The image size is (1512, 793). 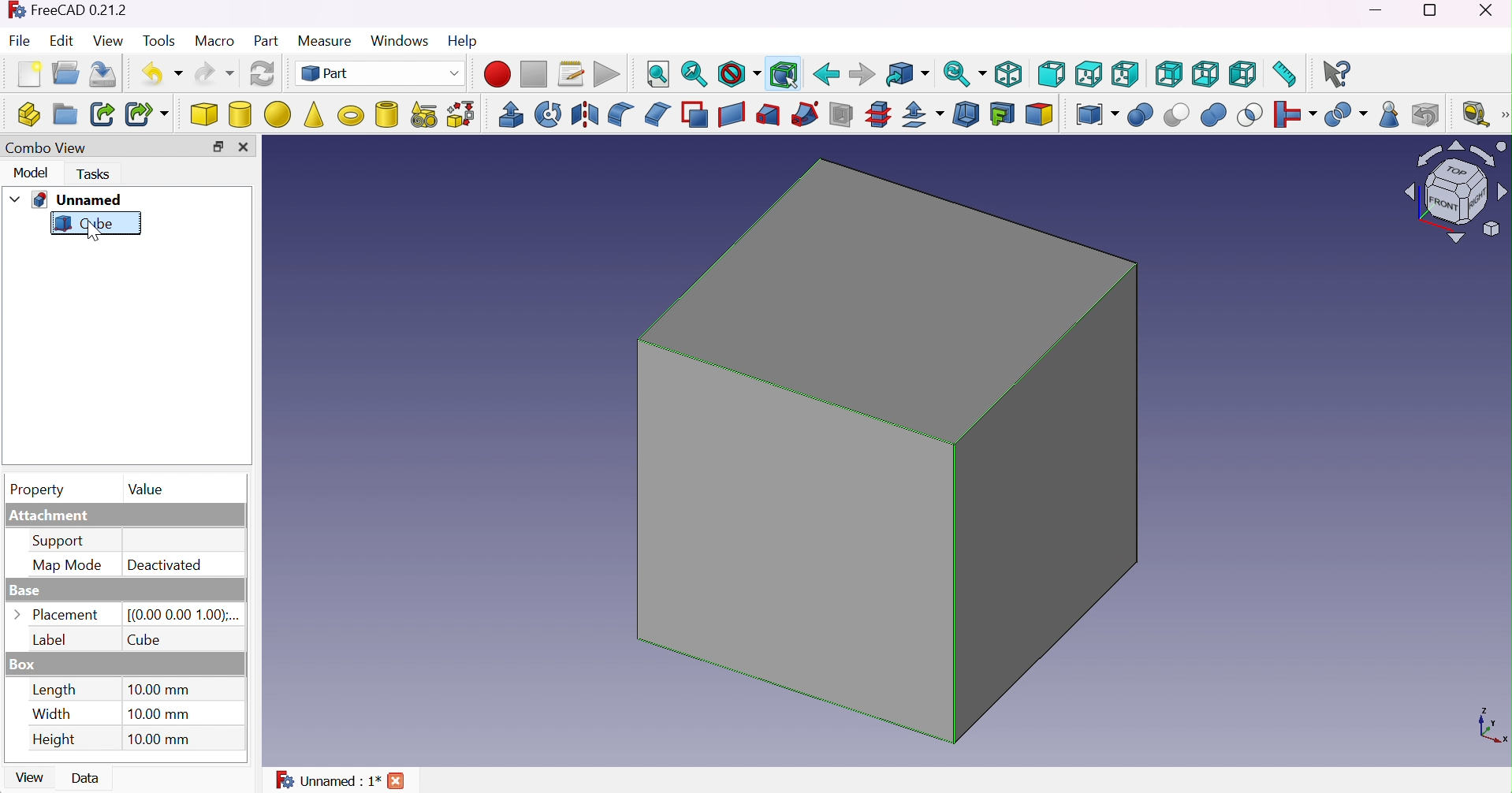 What do you see at coordinates (1367, 9) in the screenshot?
I see `Minimize` at bounding box center [1367, 9].